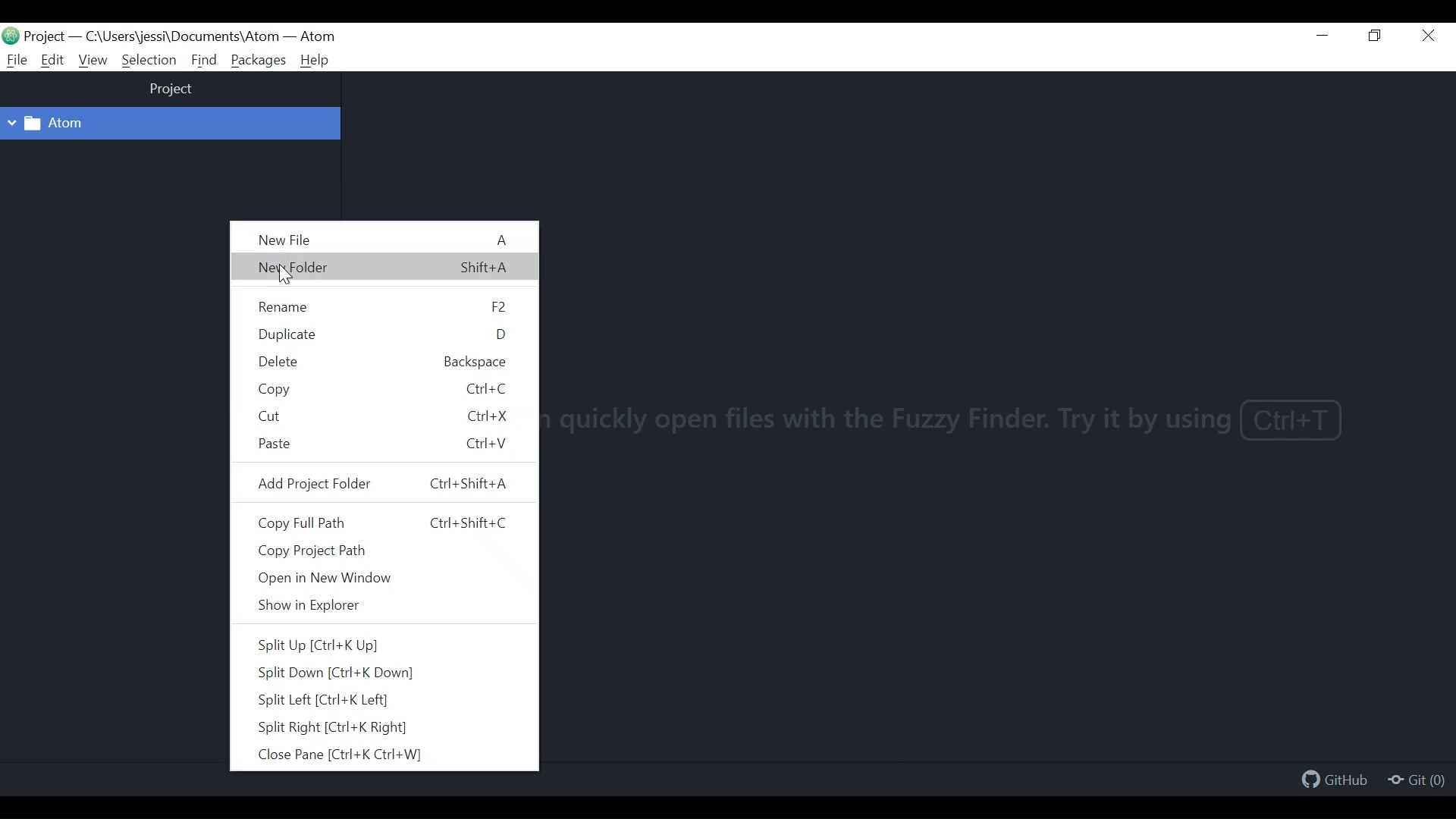 This screenshot has width=1456, height=819. What do you see at coordinates (315, 484) in the screenshot?
I see `Add Project Folder` at bounding box center [315, 484].